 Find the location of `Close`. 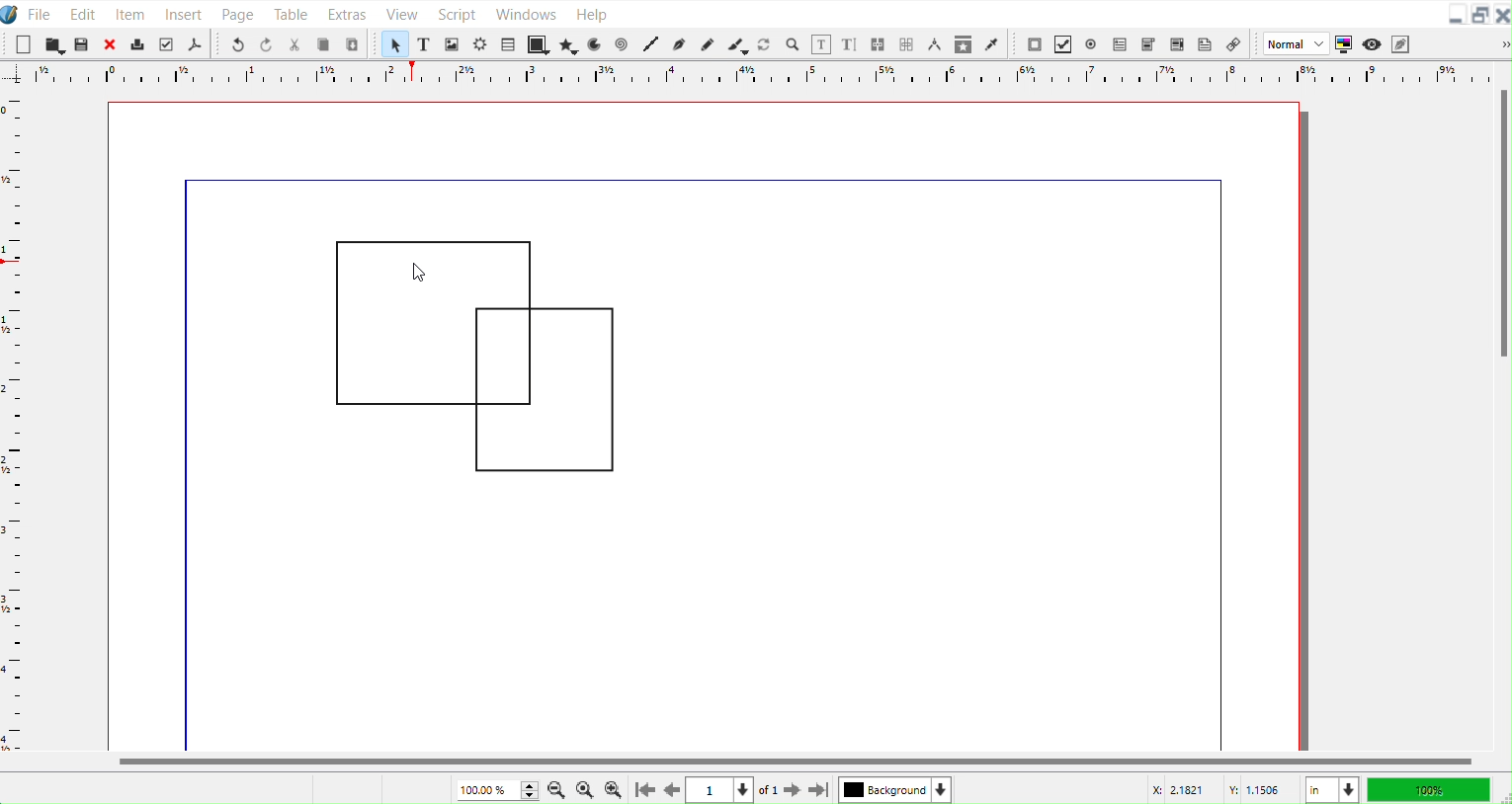

Close is located at coordinates (108, 44).